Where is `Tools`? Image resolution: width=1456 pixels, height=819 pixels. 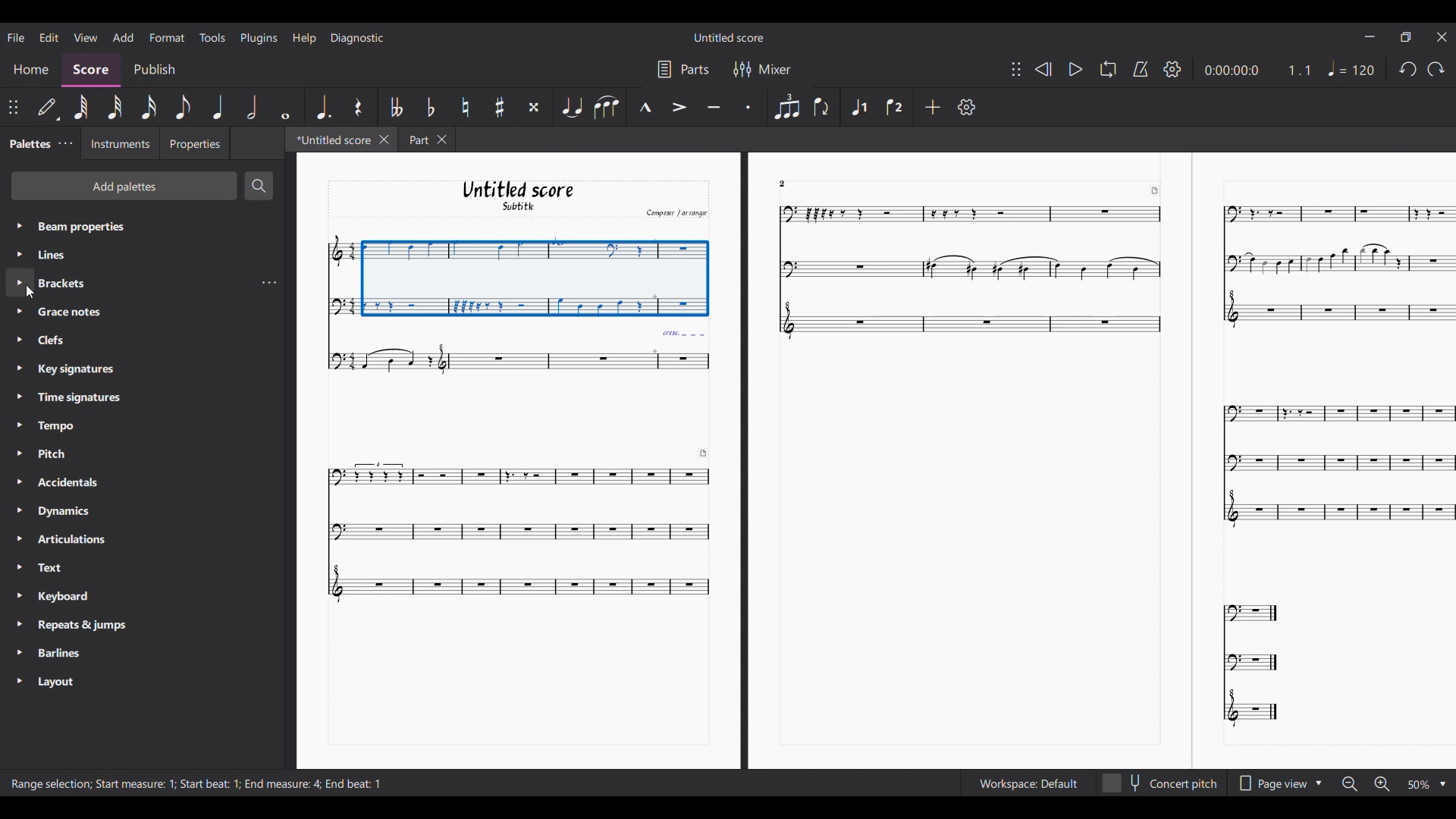
Tools is located at coordinates (212, 37).